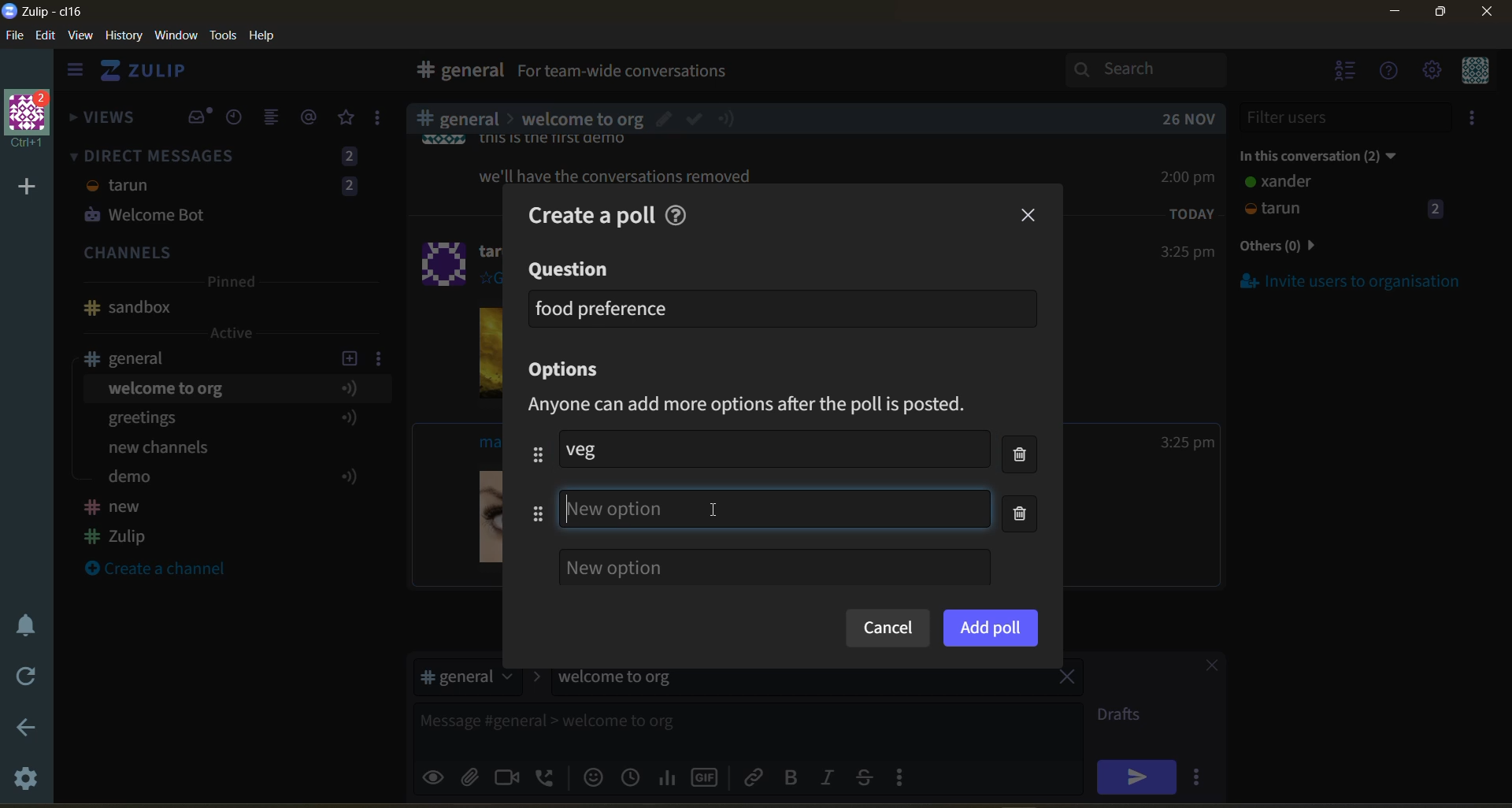  What do you see at coordinates (348, 356) in the screenshot?
I see `add new topic` at bounding box center [348, 356].